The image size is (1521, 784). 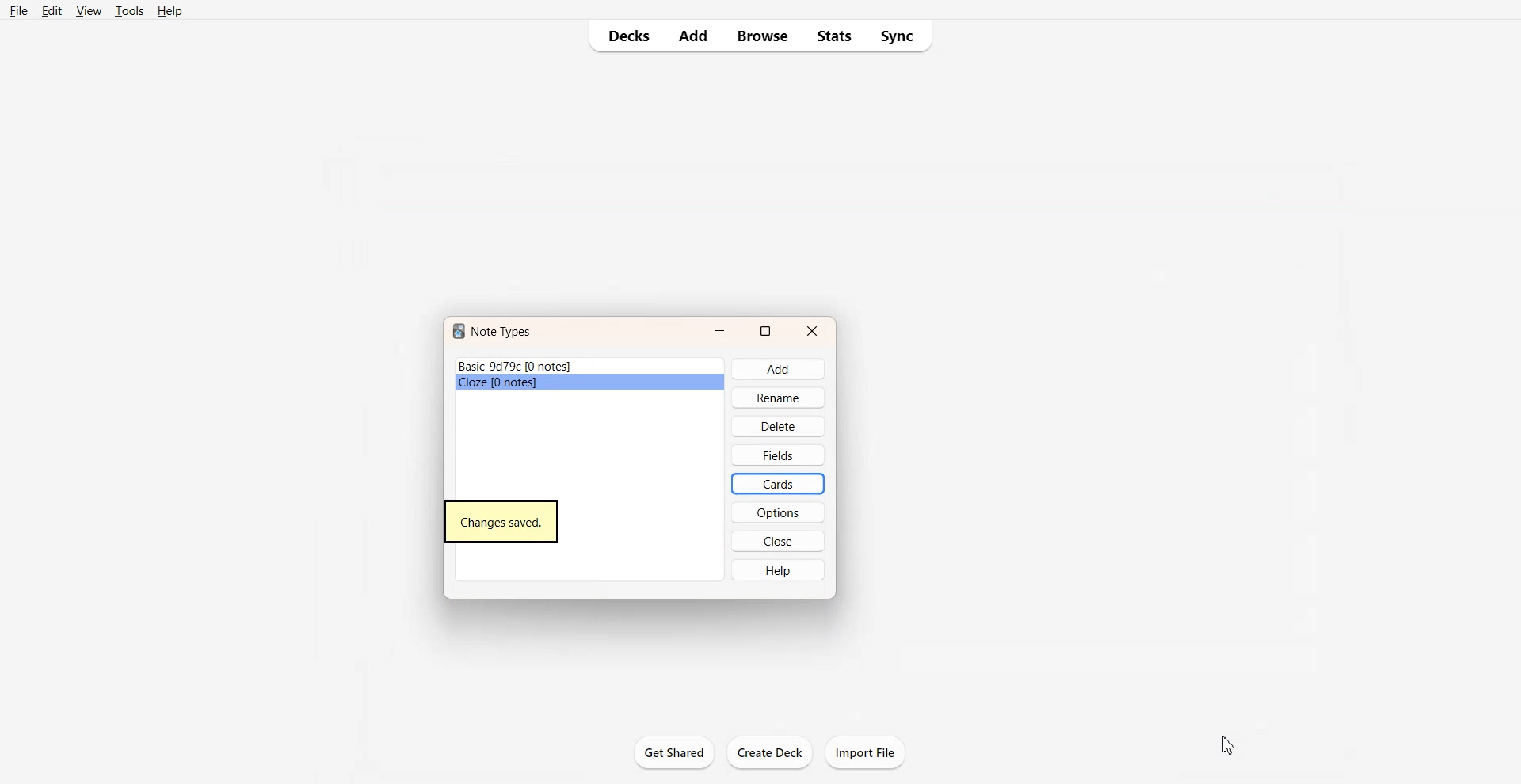 What do you see at coordinates (786, 569) in the screenshot?
I see `help` at bounding box center [786, 569].